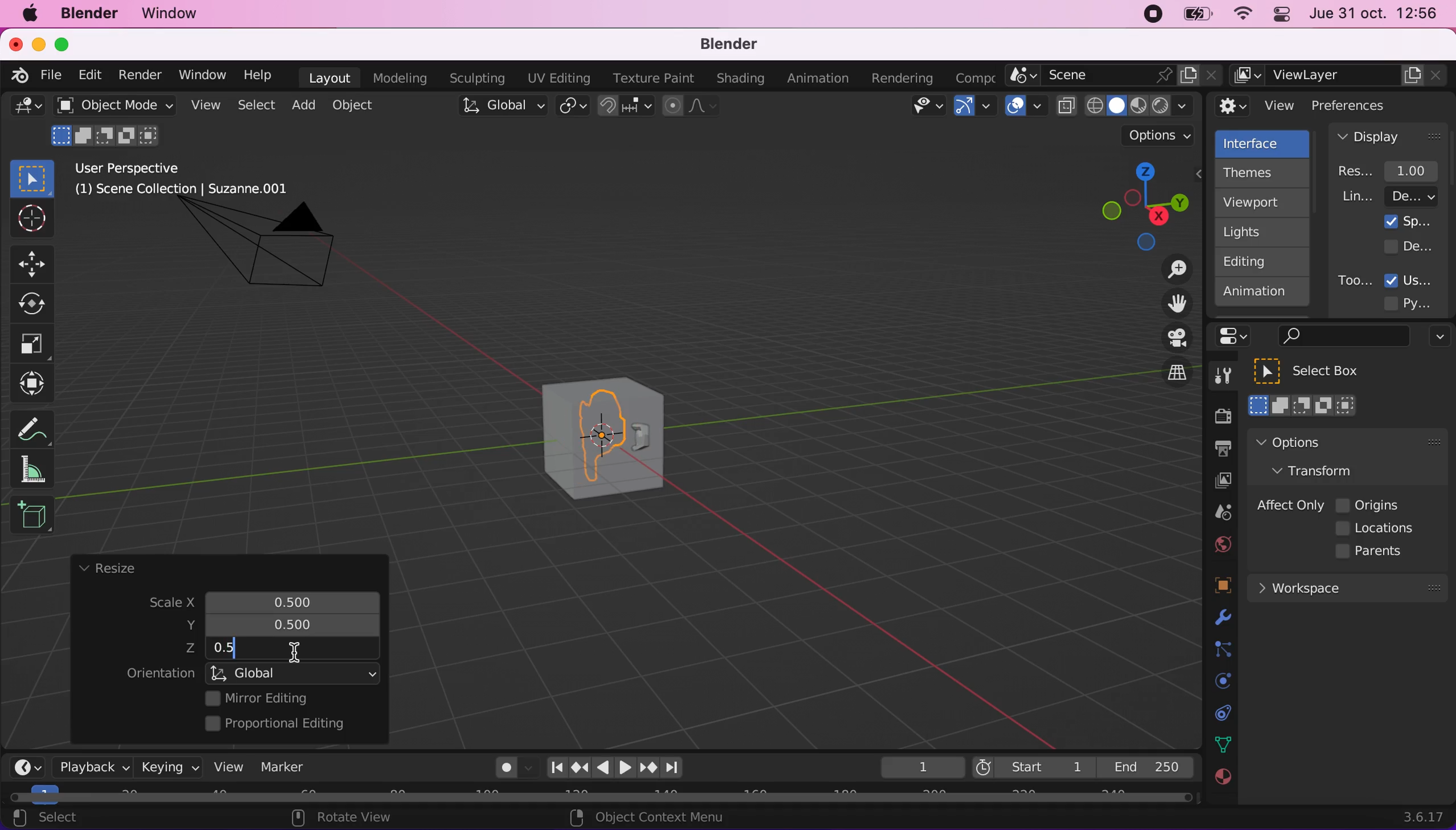 The width and height of the screenshot is (1456, 830). Describe the element at coordinates (1168, 304) in the screenshot. I see `move the view` at that location.